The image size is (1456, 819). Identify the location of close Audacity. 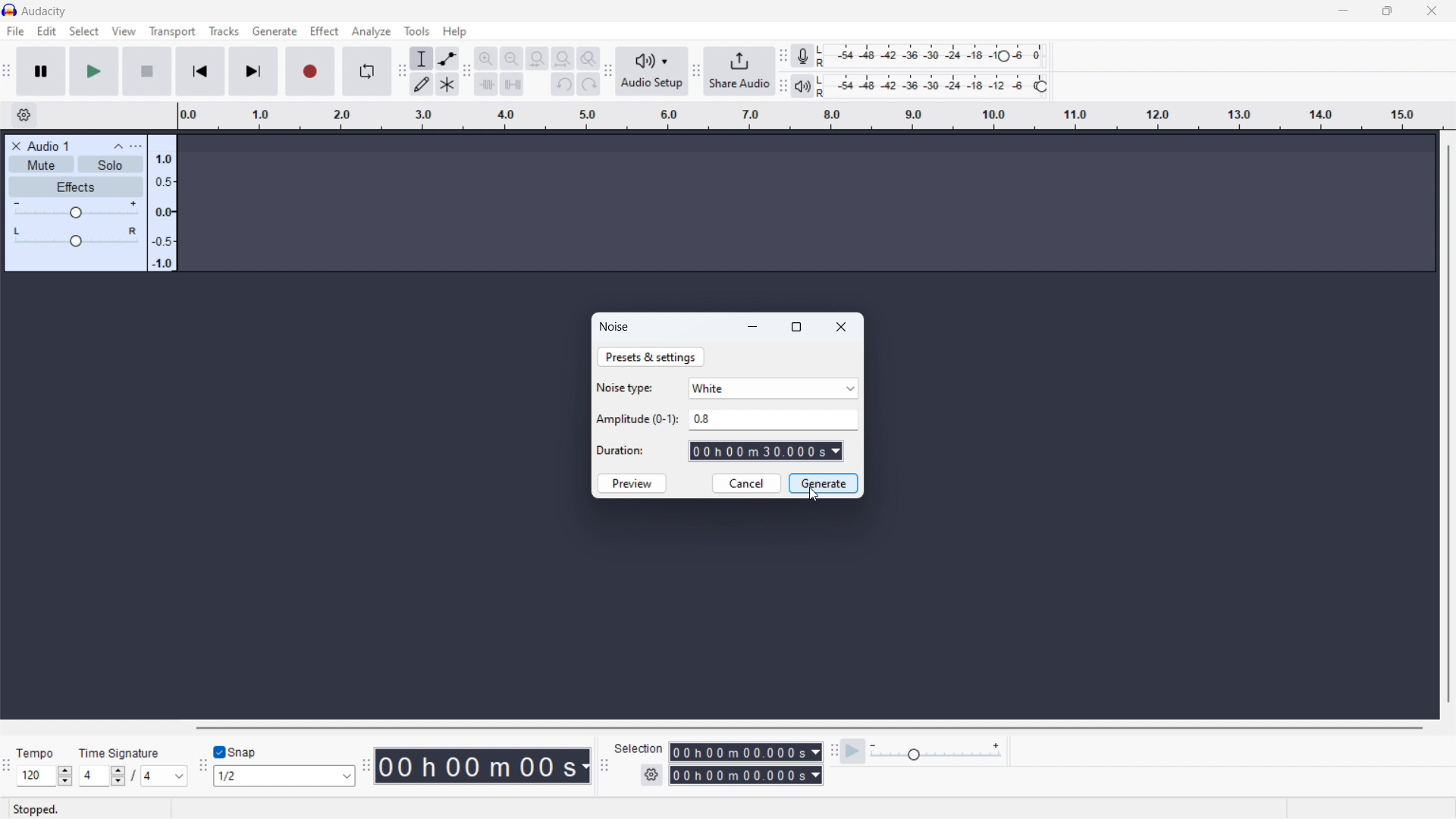
(1428, 10).